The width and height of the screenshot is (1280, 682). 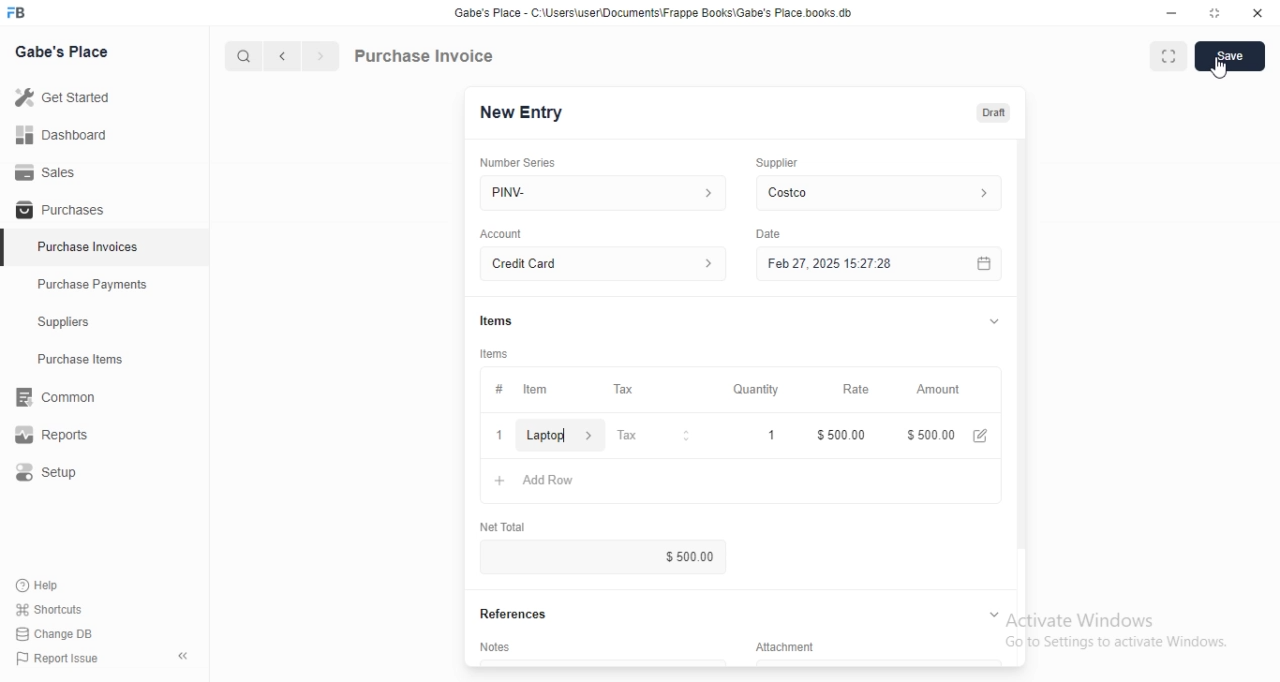 What do you see at coordinates (650, 389) in the screenshot?
I see `Tax` at bounding box center [650, 389].